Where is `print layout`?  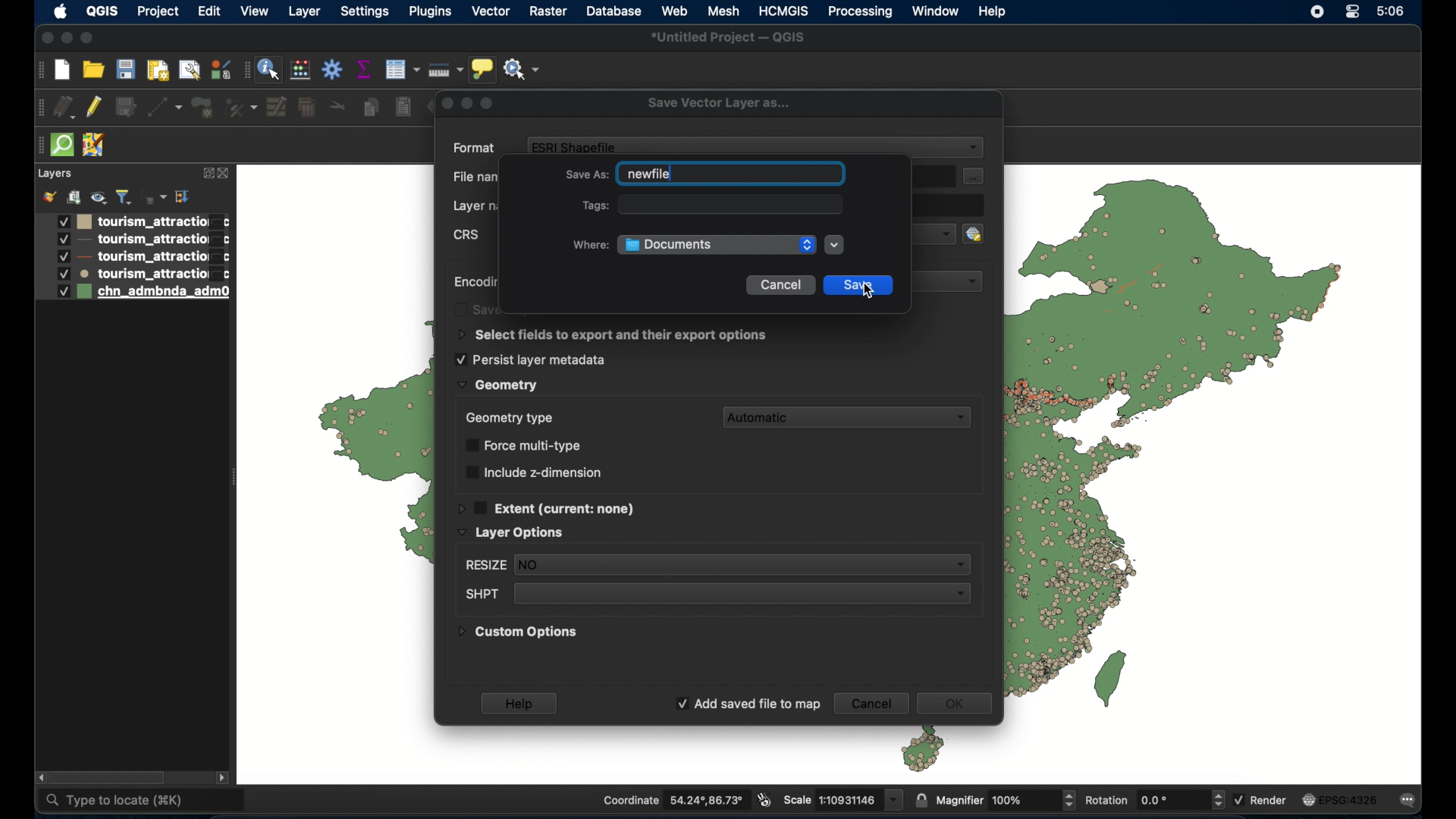
print layout is located at coordinates (158, 69).